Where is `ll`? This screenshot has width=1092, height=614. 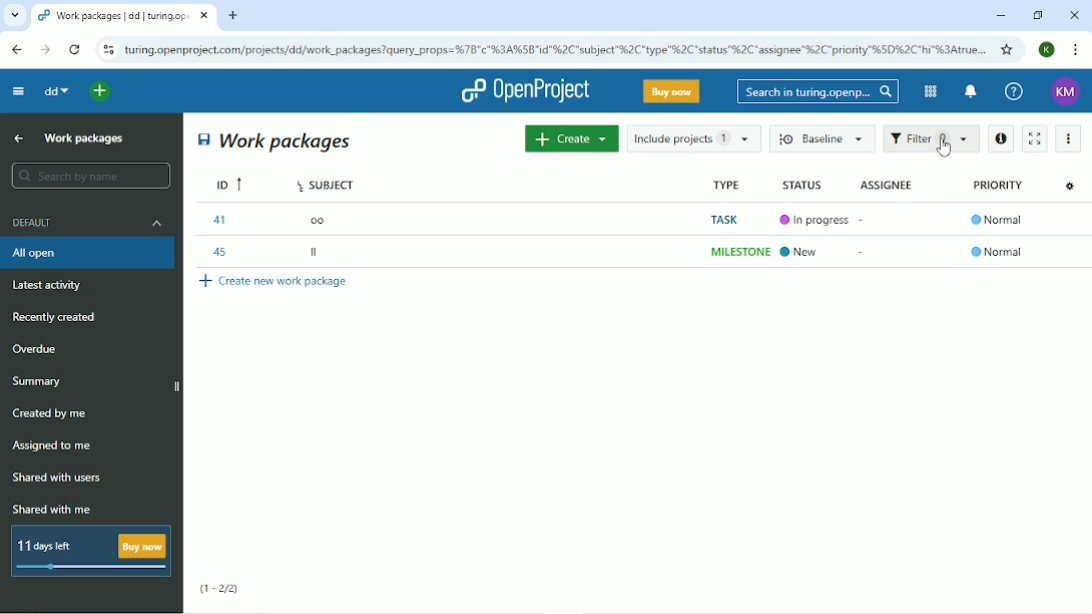 ll is located at coordinates (316, 252).